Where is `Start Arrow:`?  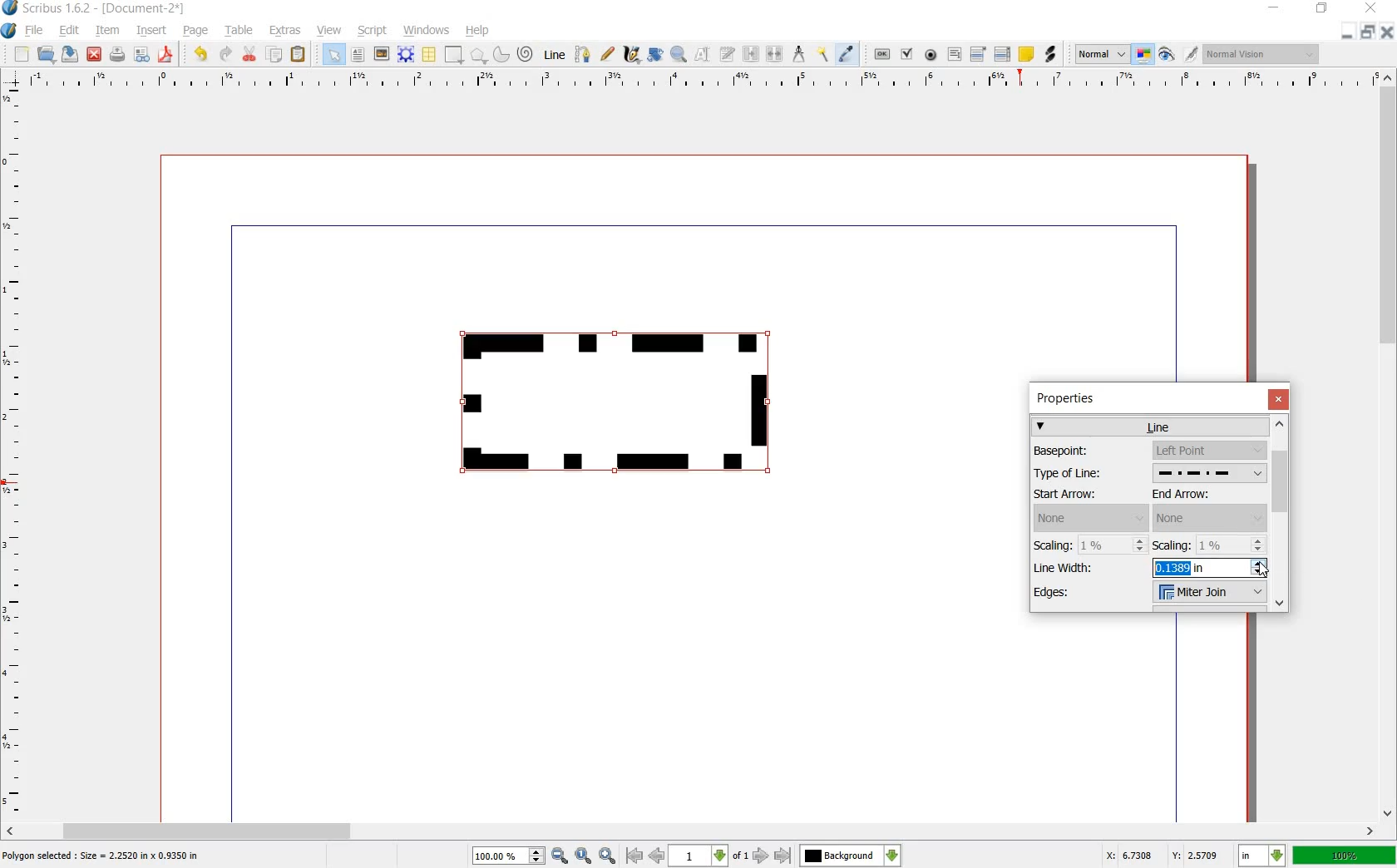
Start Arrow: is located at coordinates (1085, 495).